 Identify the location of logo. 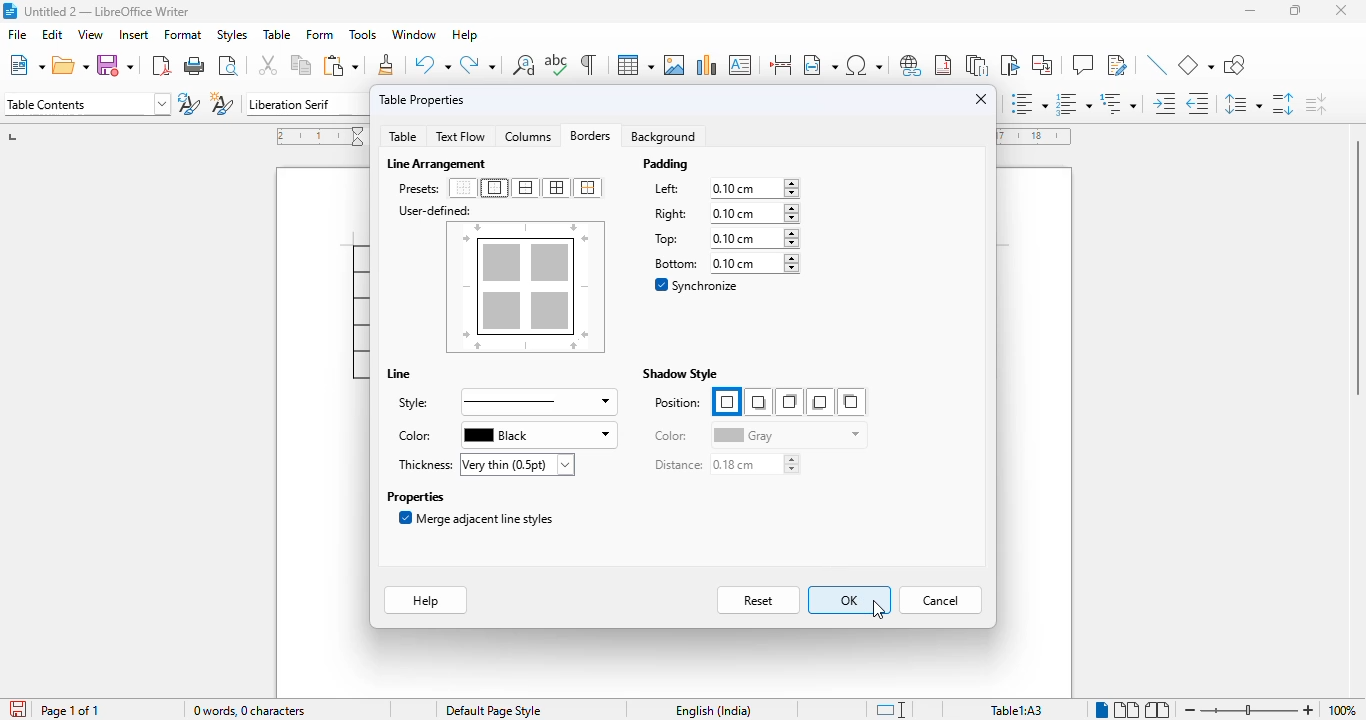
(9, 11).